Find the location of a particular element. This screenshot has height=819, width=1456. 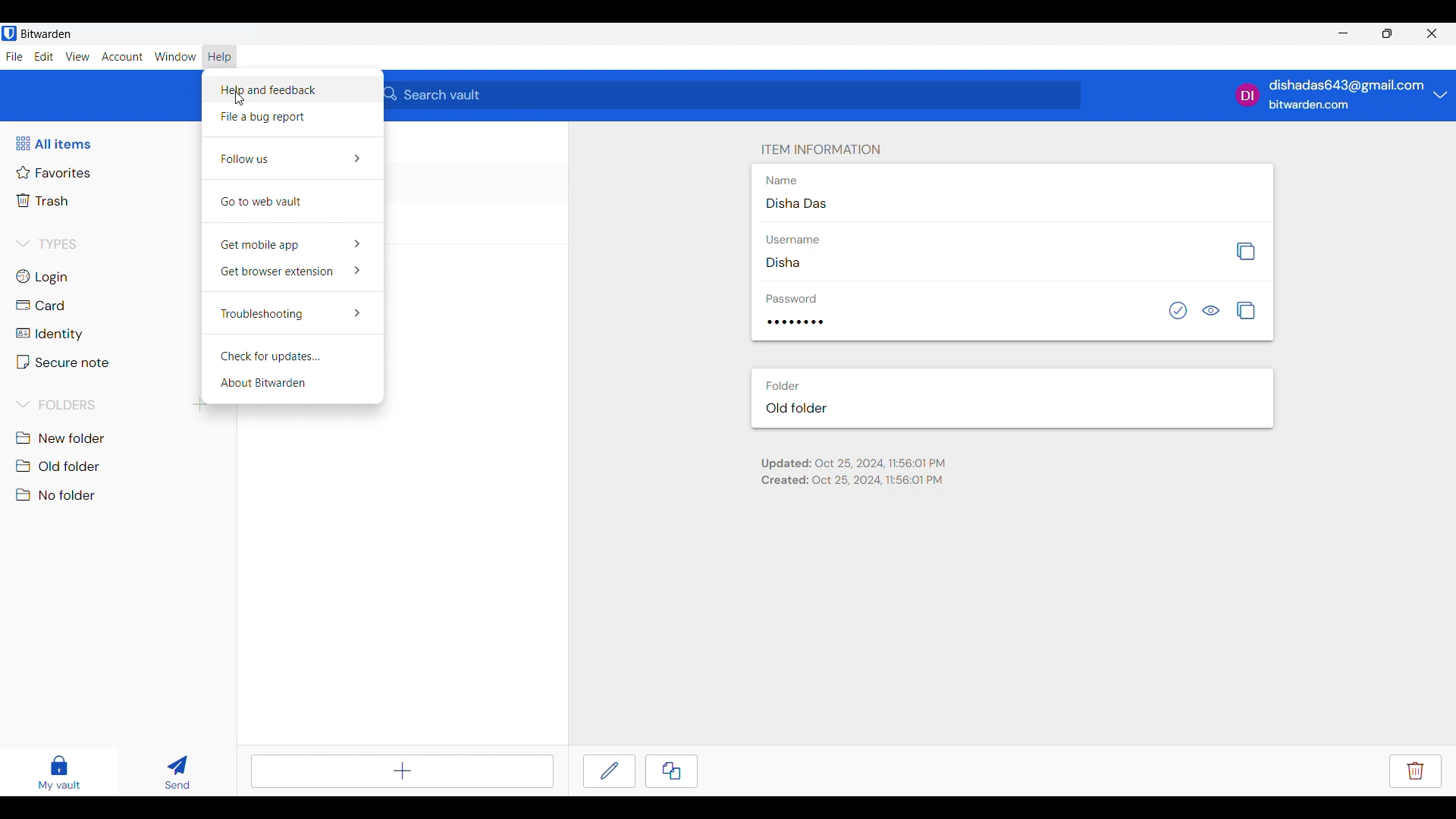

Item information is located at coordinates (821, 149).